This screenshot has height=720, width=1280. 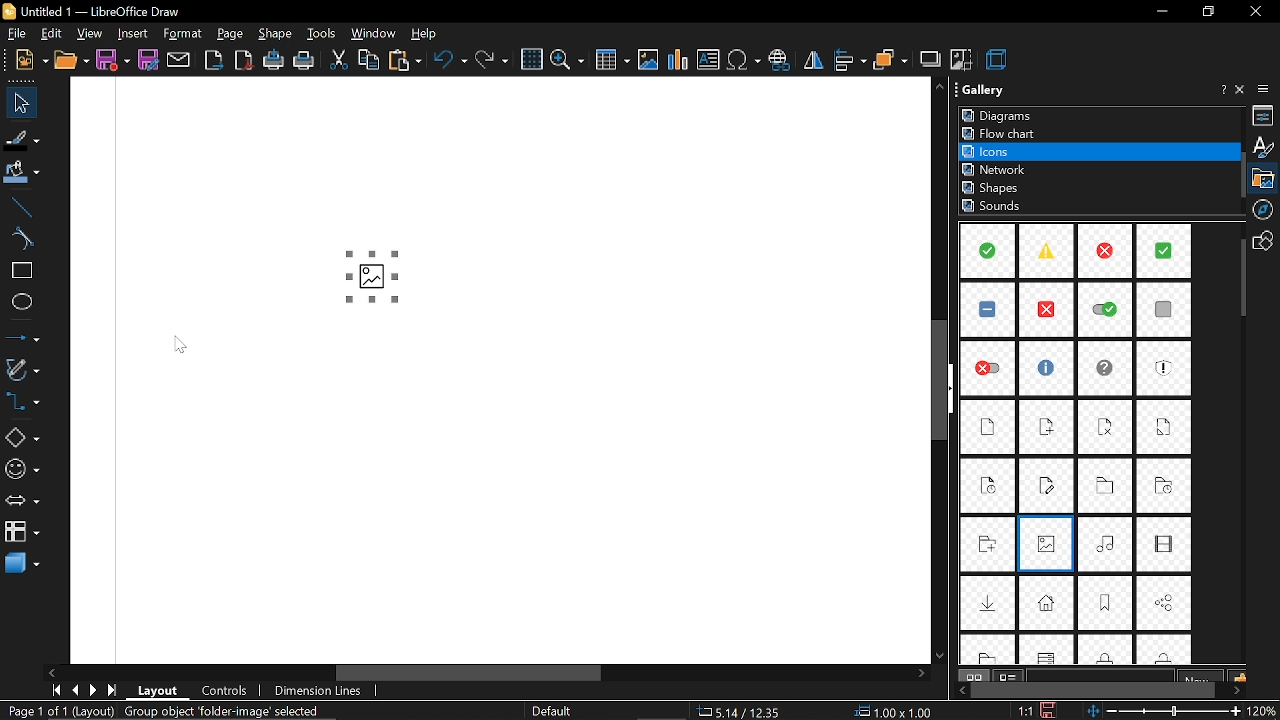 I want to click on change zoom, so click(x=1165, y=712).